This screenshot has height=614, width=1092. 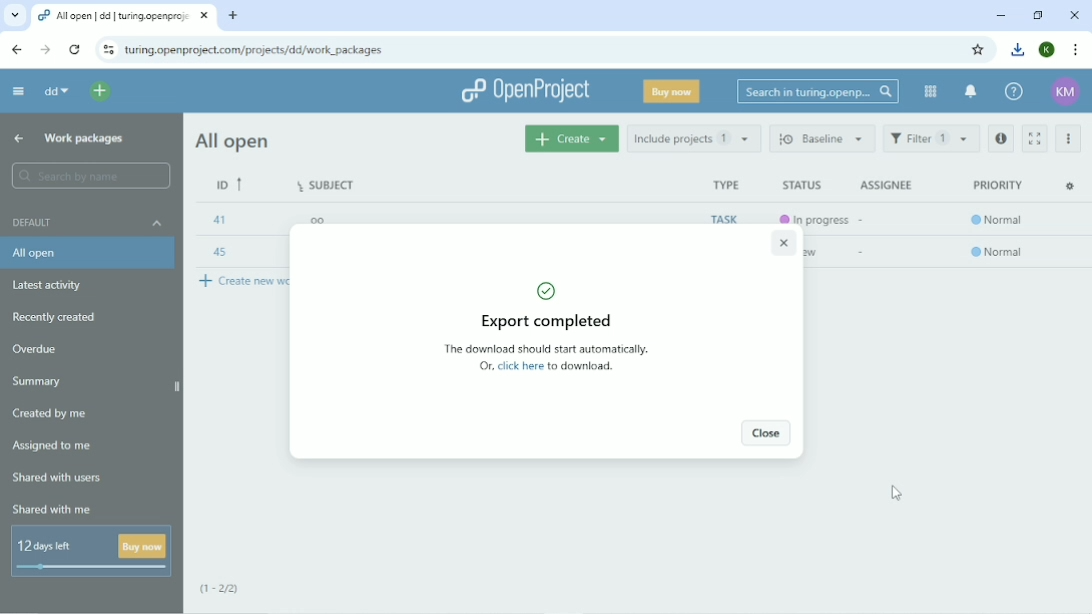 What do you see at coordinates (766, 434) in the screenshot?
I see `Close` at bounding box center [766, 434].